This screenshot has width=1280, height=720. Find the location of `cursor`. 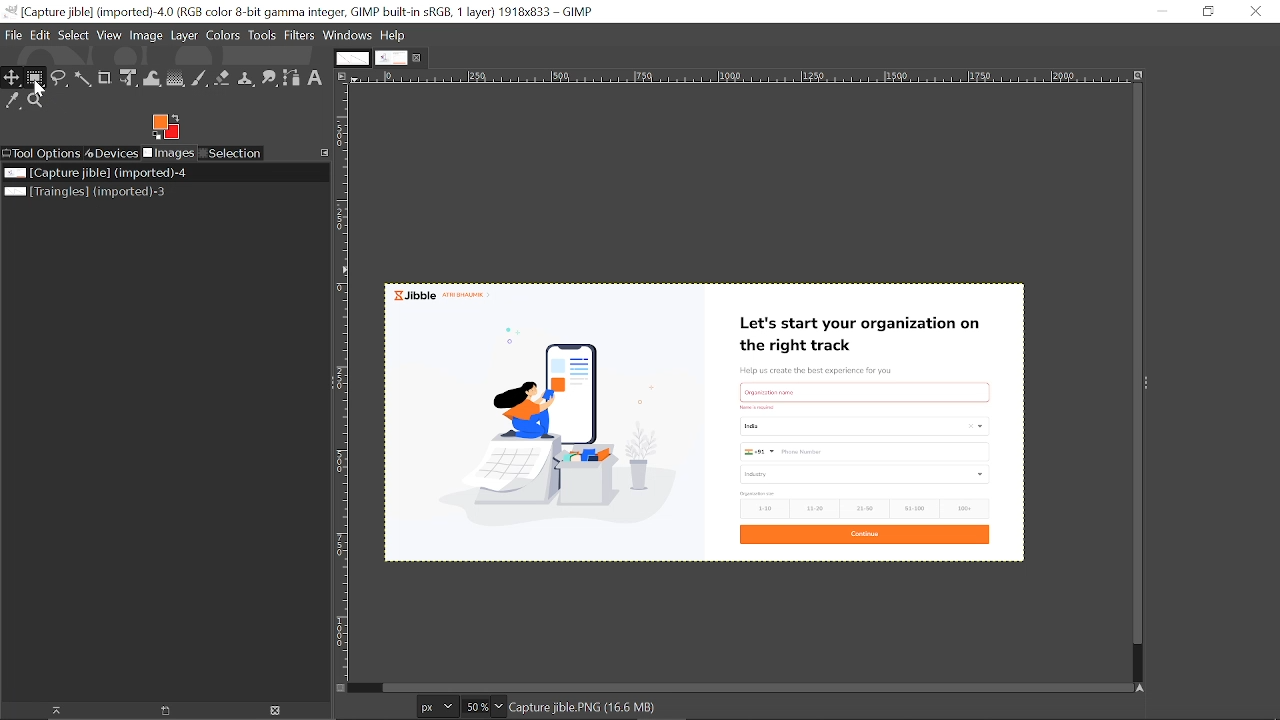

cursor is located at coordinates (53, 94).